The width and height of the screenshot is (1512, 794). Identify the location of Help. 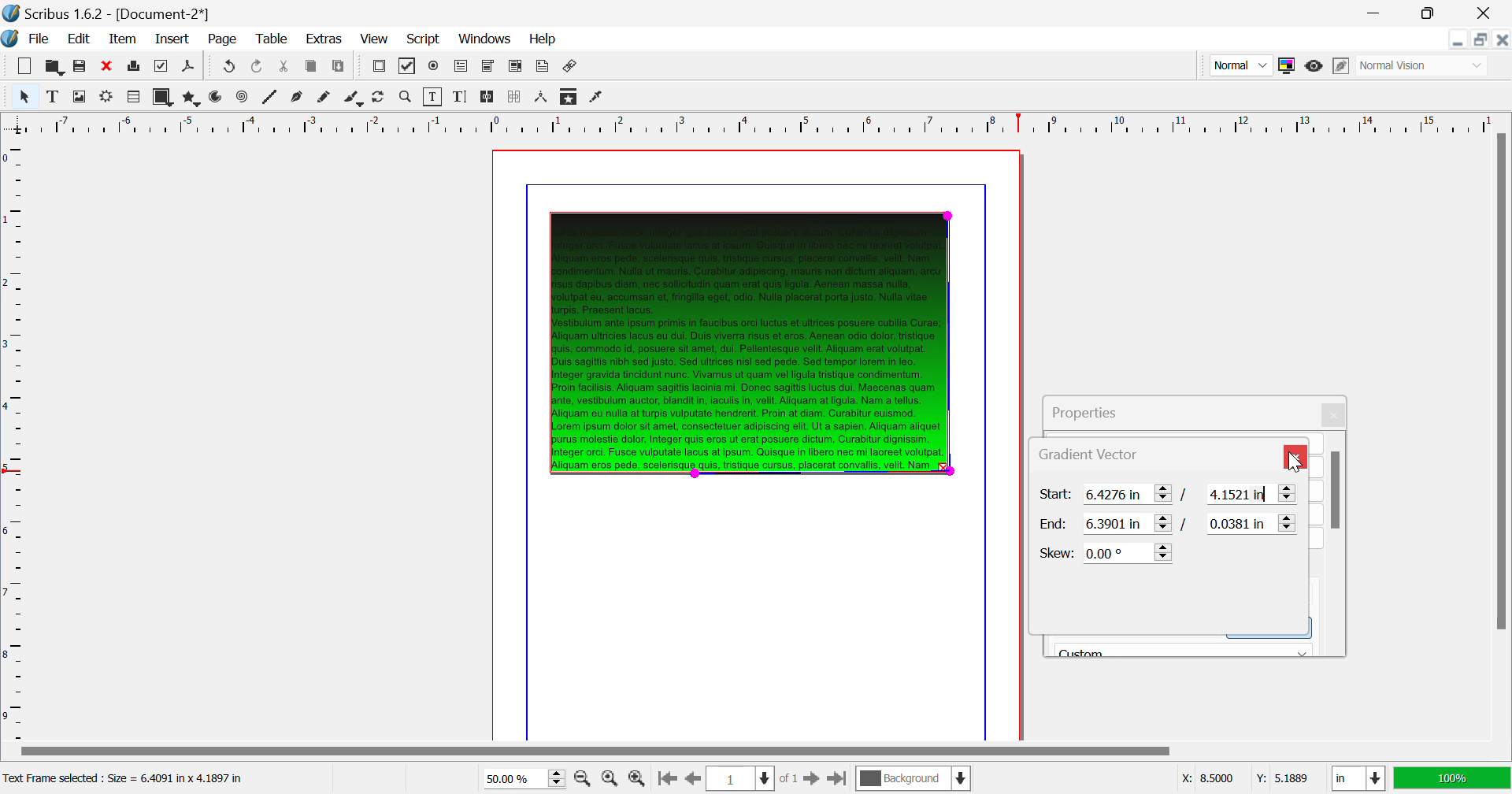
(544, 39).